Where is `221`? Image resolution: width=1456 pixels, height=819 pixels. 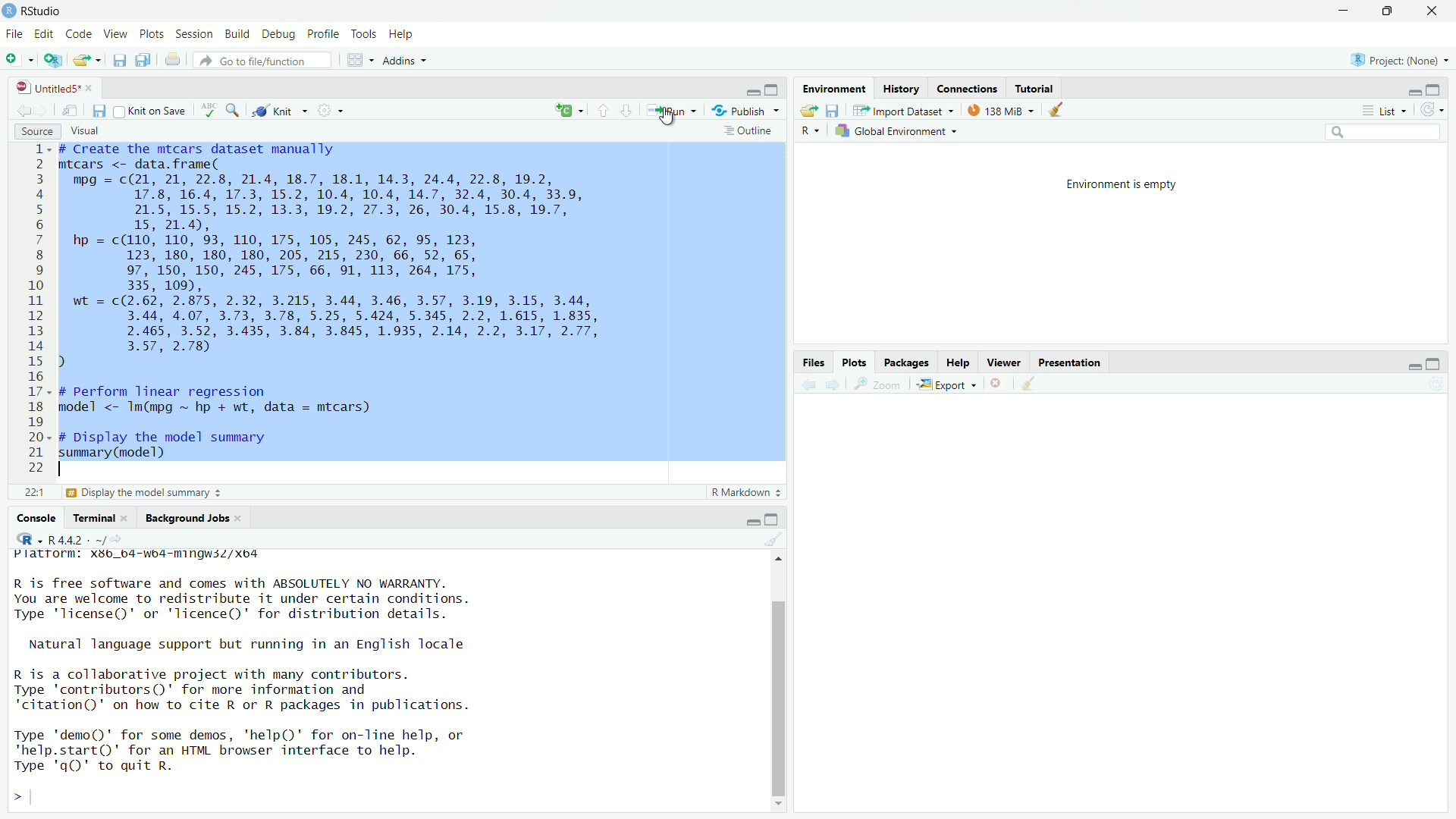
221 is located at coordinates (33, 494).